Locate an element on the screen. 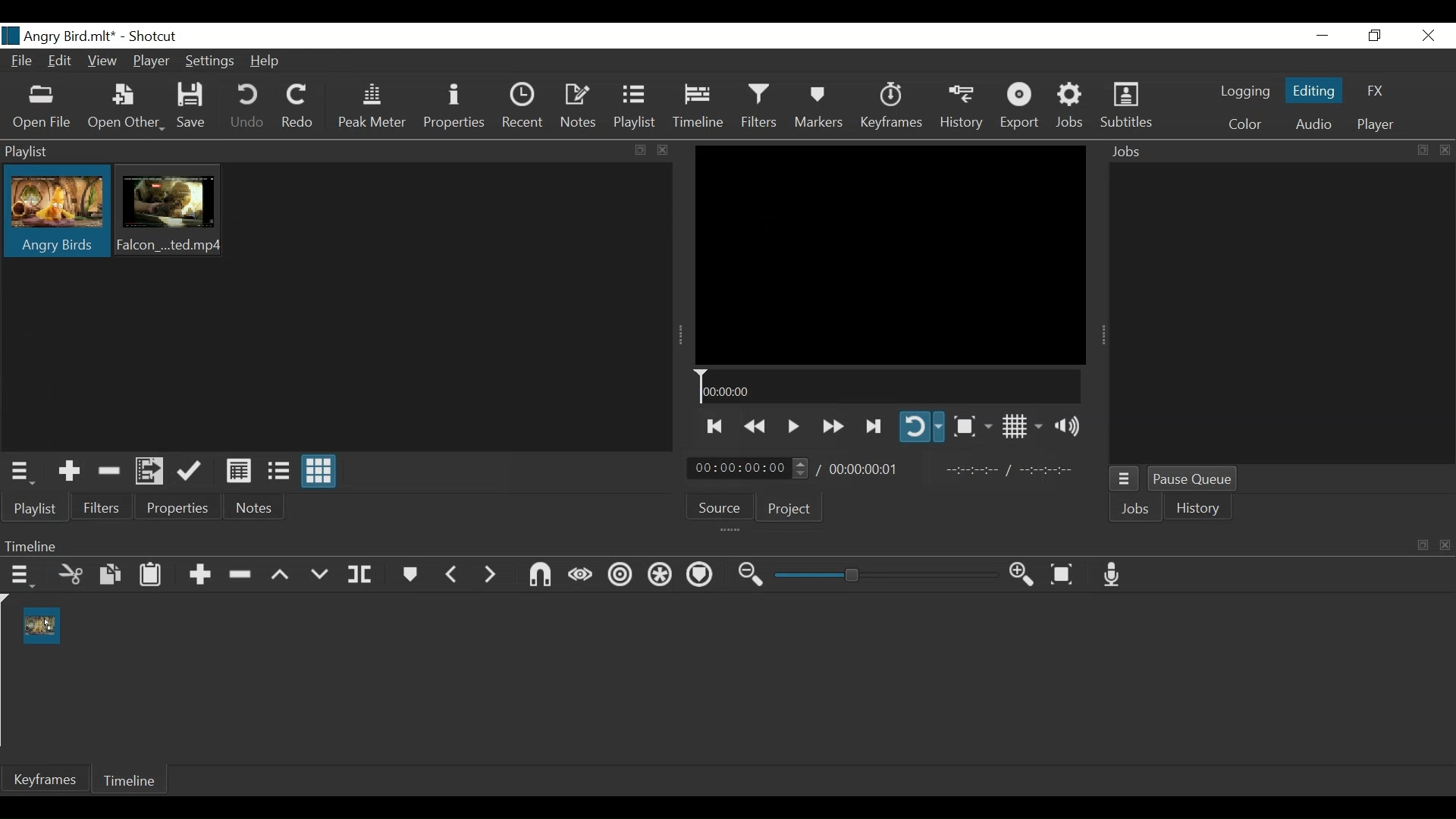 Image resolution: width=1456 pixels, height=819 pixels. File is located at coordinates (25, 62).